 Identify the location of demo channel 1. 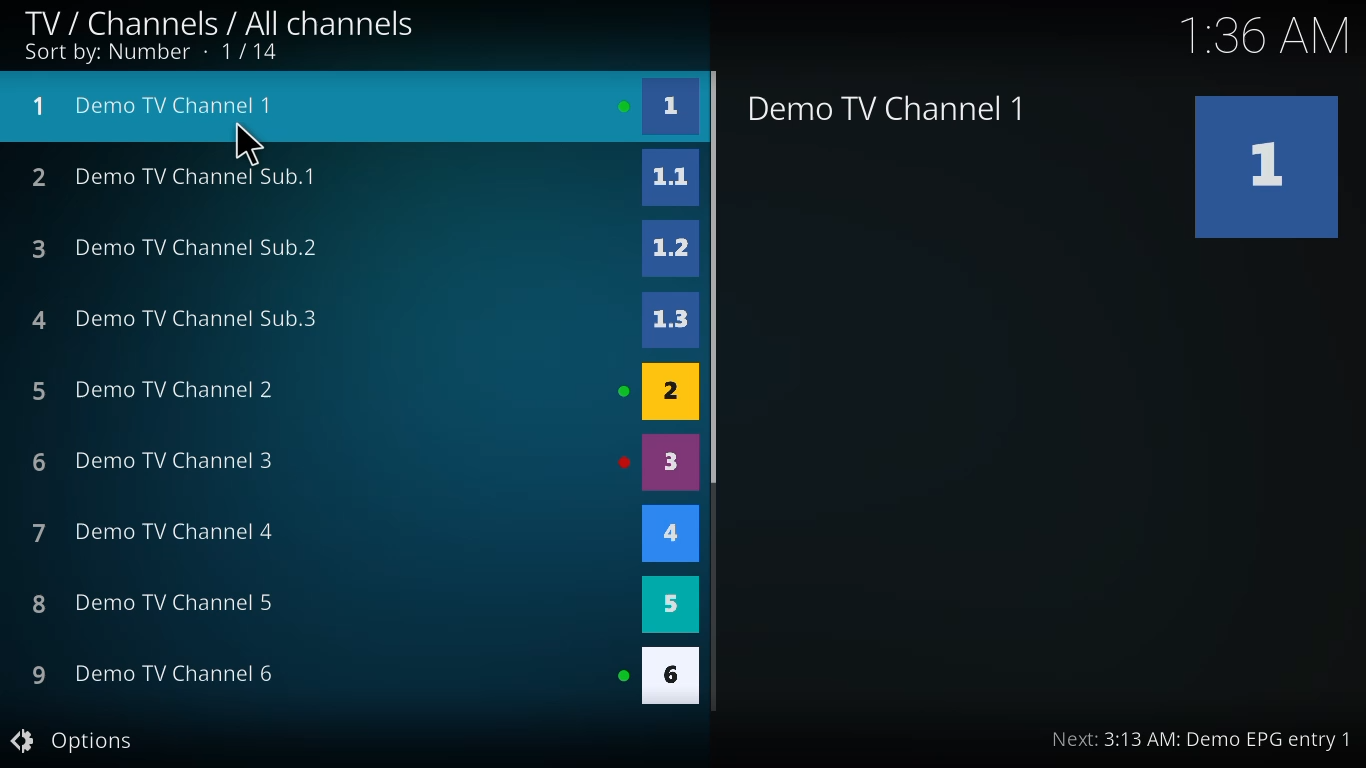
(160, 104).